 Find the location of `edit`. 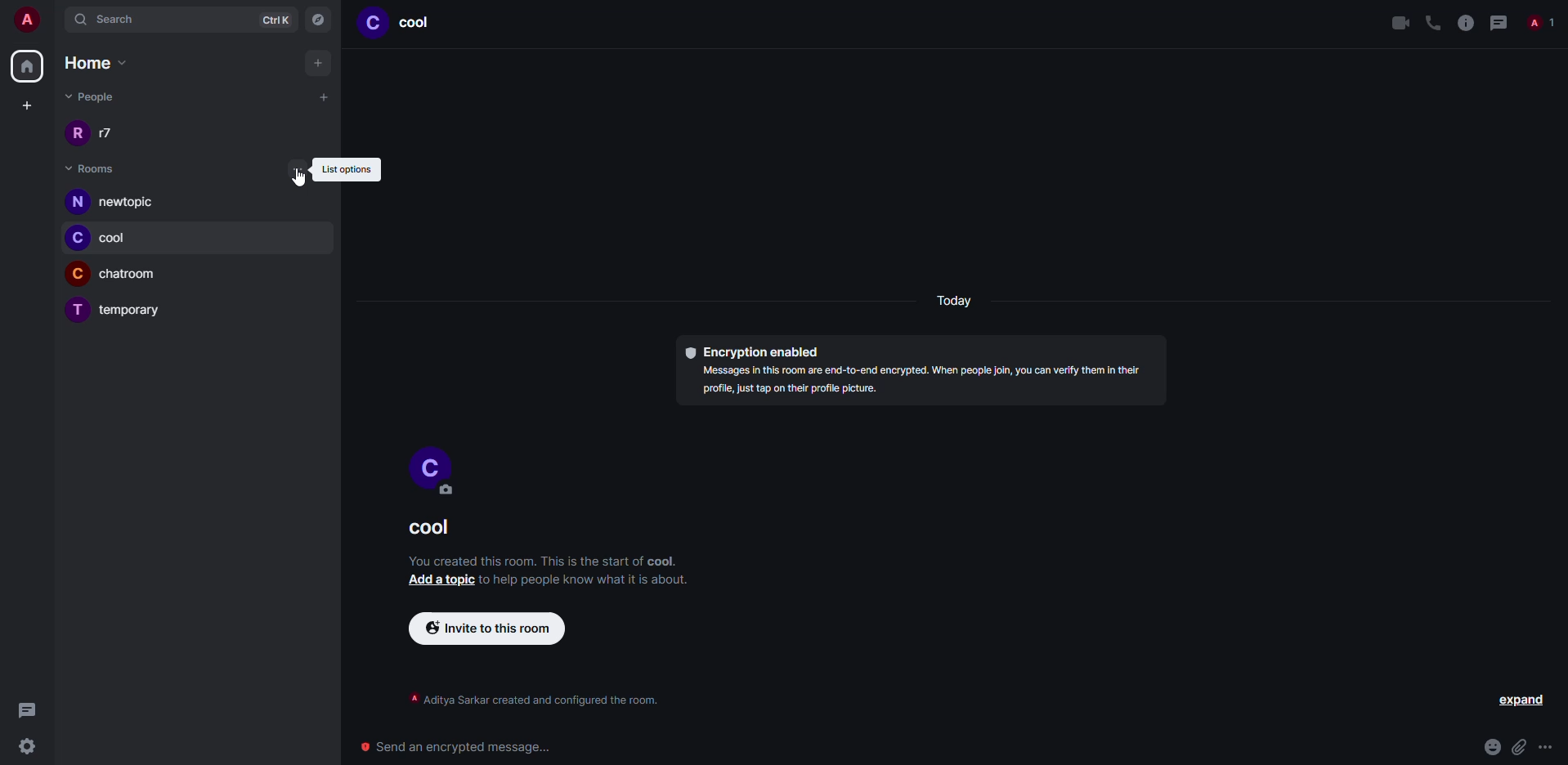

edit is located at coordinates (449, 491).